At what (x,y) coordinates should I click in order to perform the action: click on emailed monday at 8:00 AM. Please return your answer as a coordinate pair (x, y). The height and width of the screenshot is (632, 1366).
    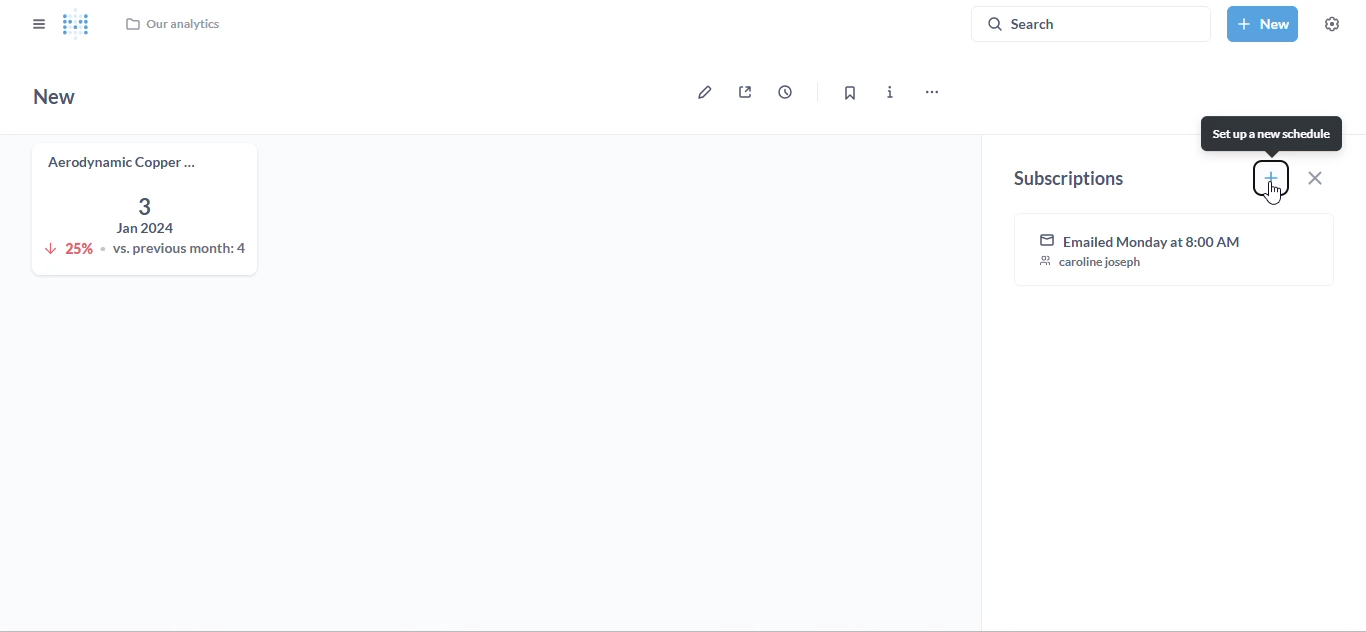
    Looking at the image, I should click on (1176, 250).